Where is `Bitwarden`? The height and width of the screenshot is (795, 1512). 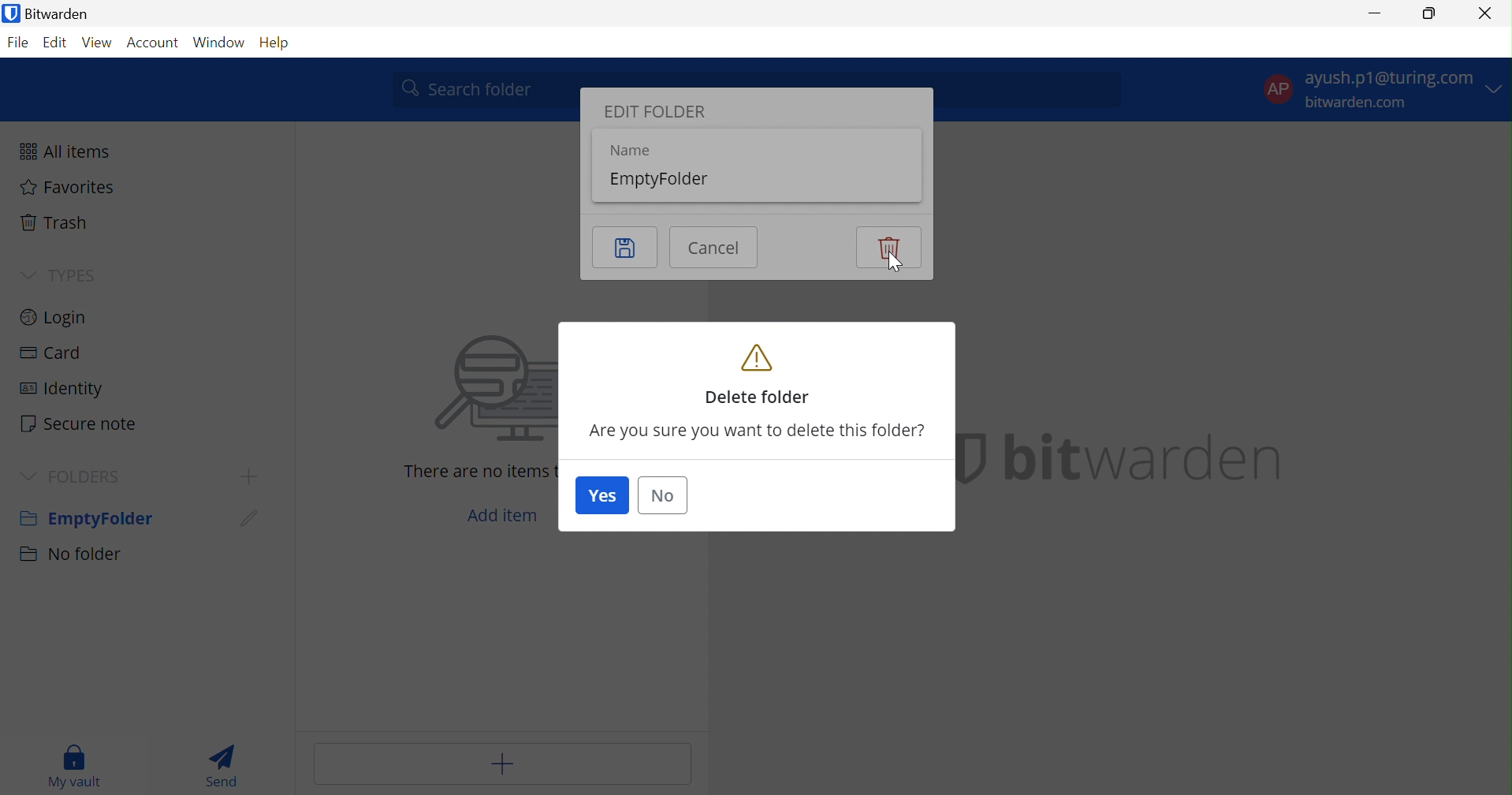 Bitwarden is located at coordinates (48, 13).